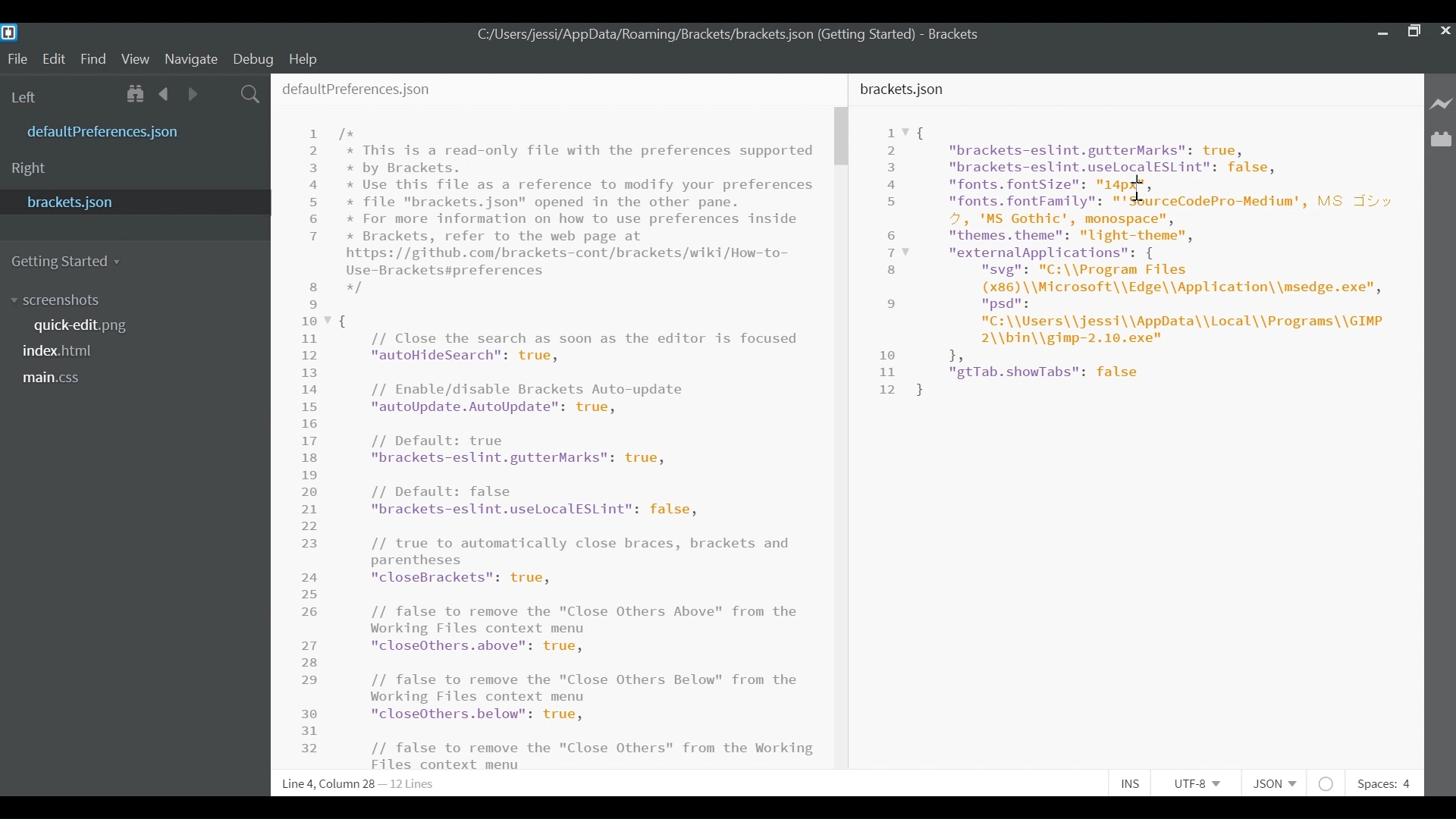 The image size is (1456, 819). I want to click on Left, so click(27, 98).